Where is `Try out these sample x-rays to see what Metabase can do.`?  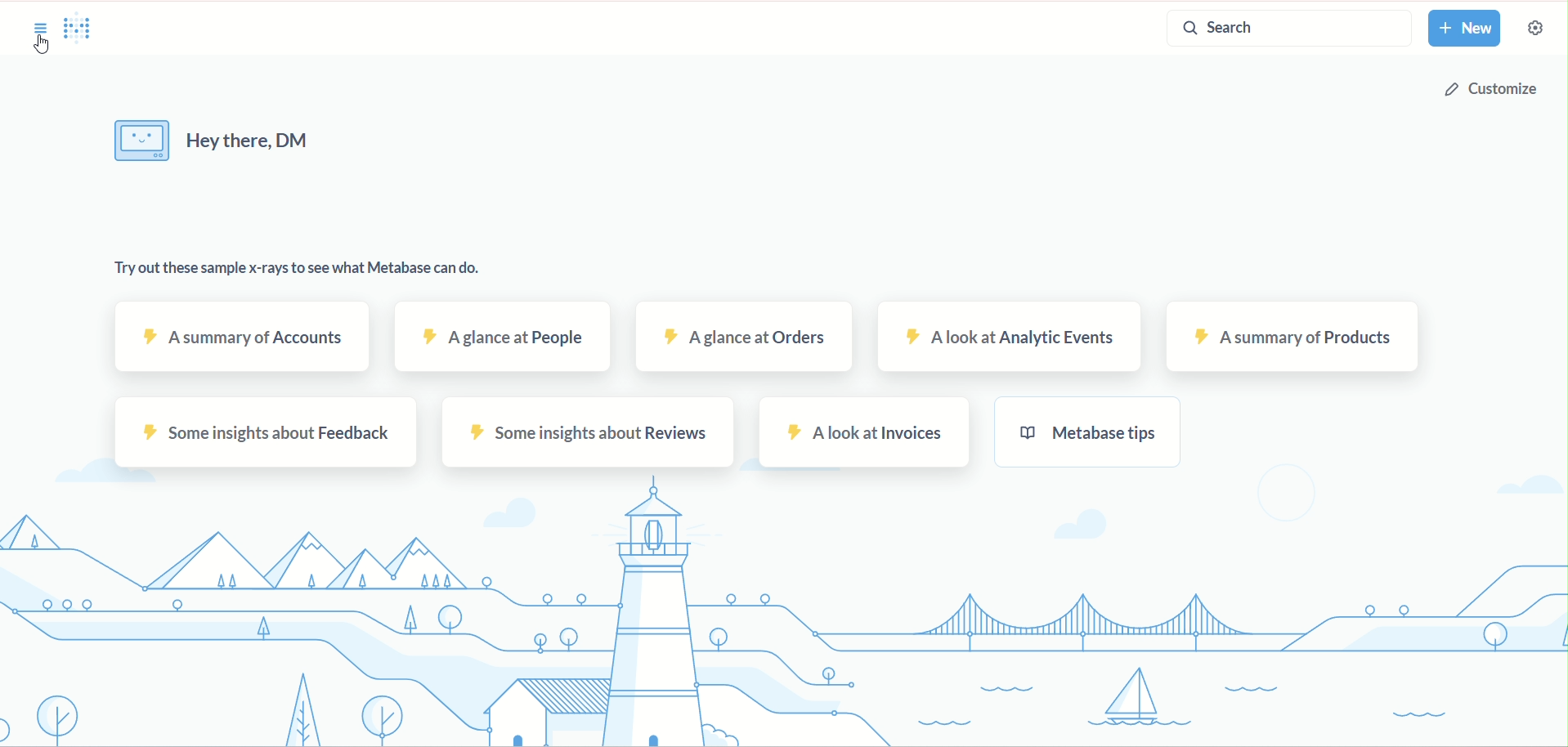 Try out these sample x-rays to see what Metabase can do. is located at coordinates (299, 268).